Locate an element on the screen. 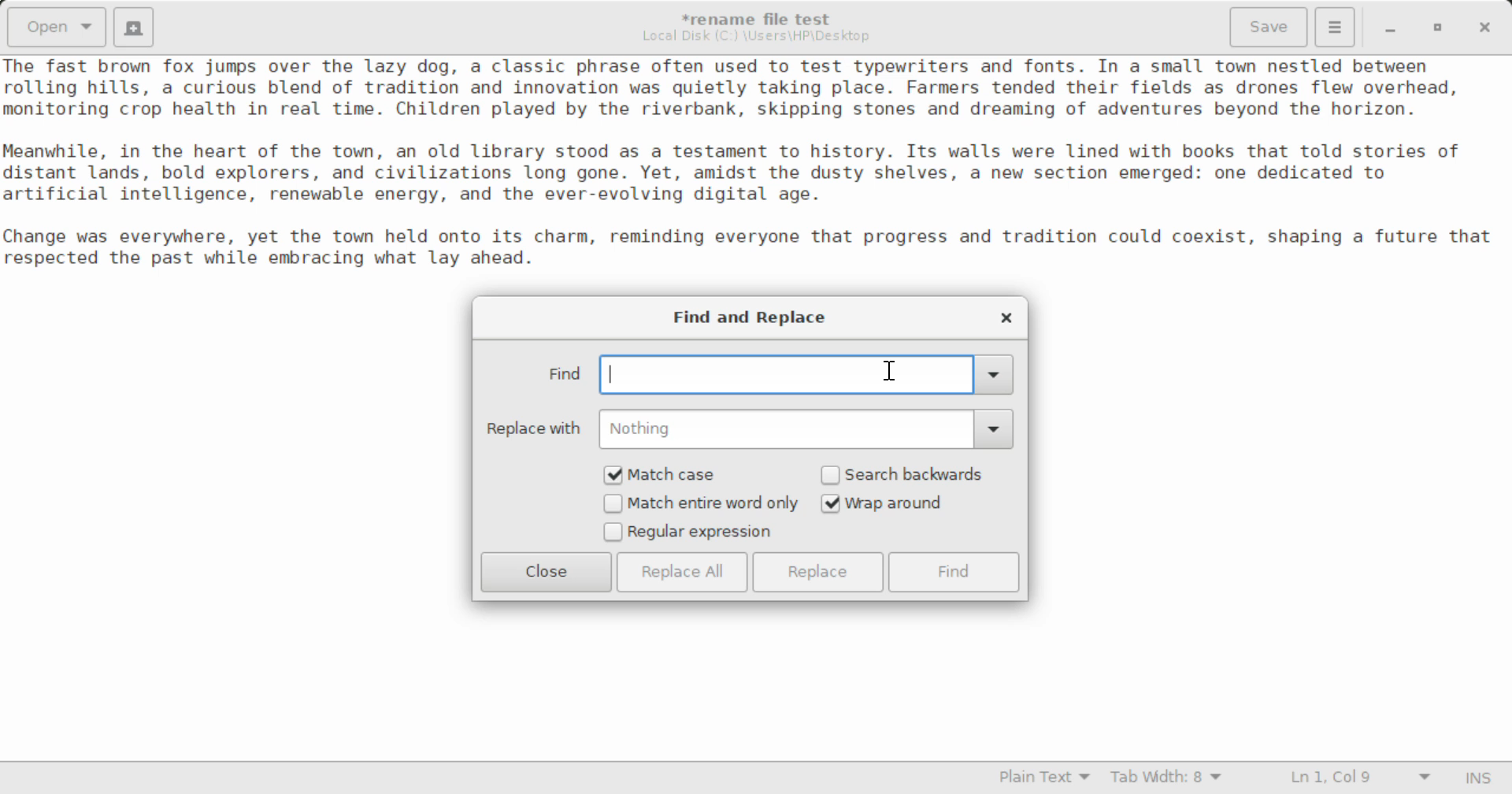 Image resolution: width=1512 pixels, height=794 pixels. Tab Width 8 is located at coordinates (1166, 779).